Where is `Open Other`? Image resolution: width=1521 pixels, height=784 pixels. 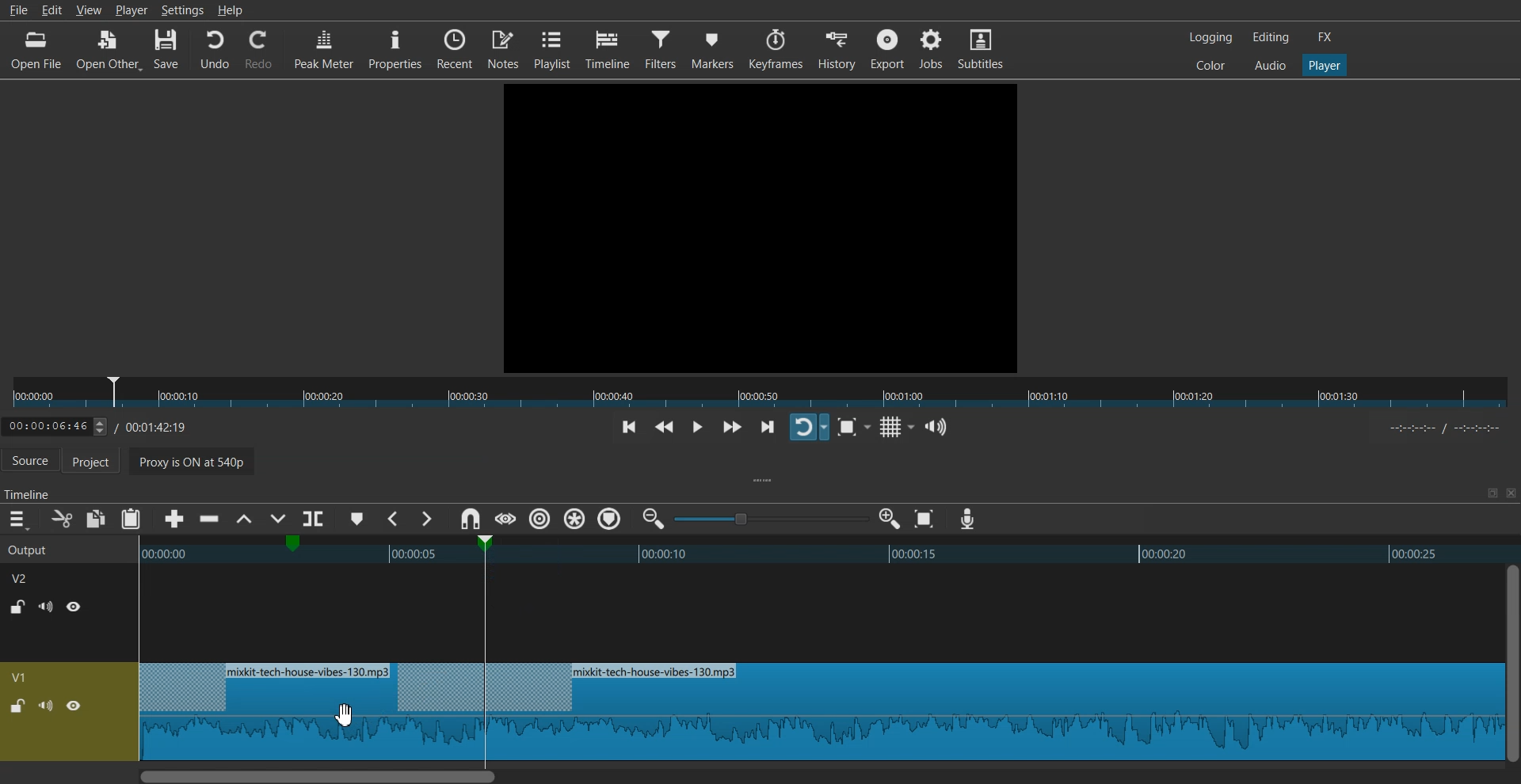 Open Other is located at coordinates (109, 51).